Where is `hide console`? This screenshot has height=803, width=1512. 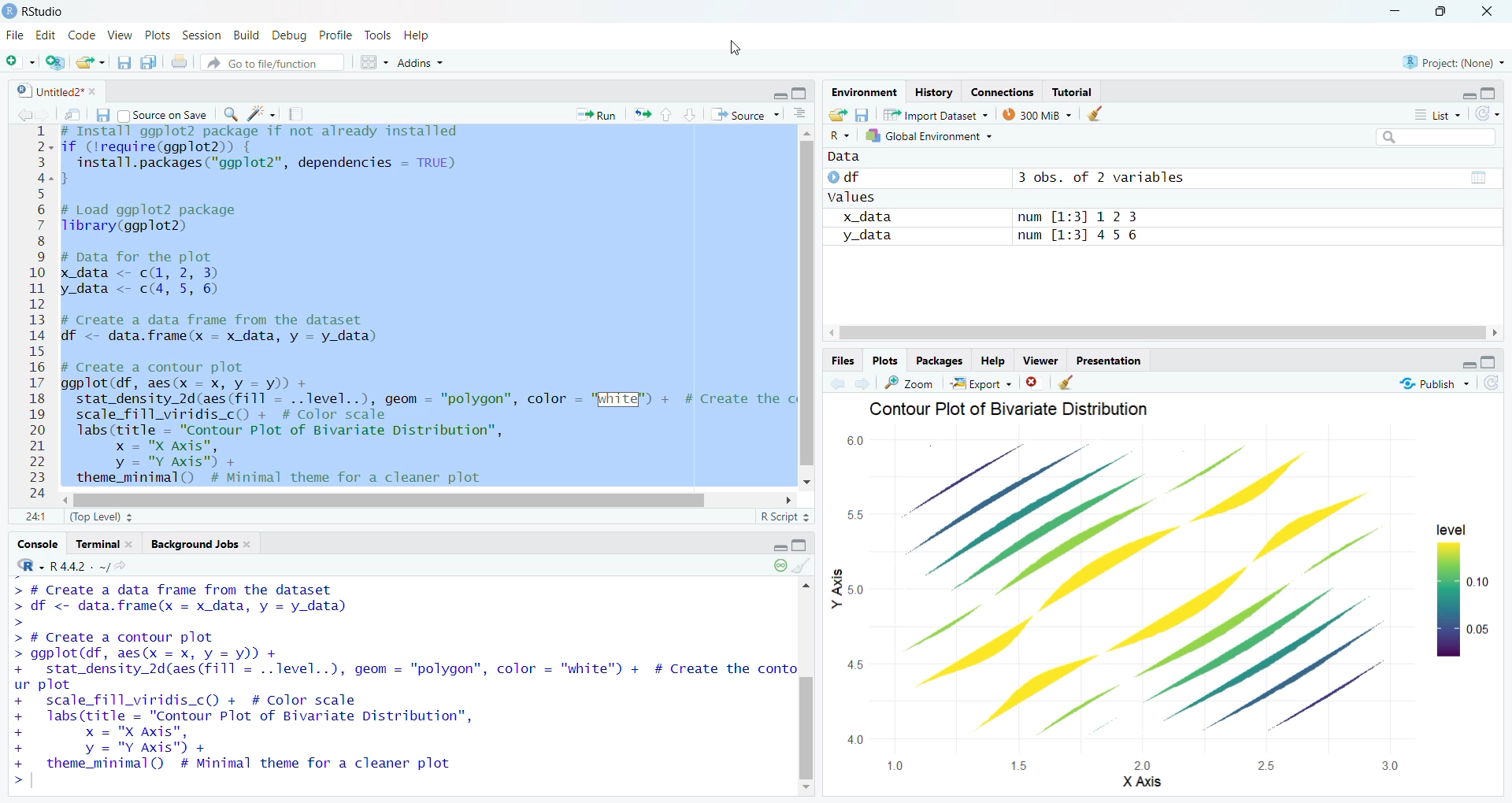
hide console is located at coordinates (800, 94).